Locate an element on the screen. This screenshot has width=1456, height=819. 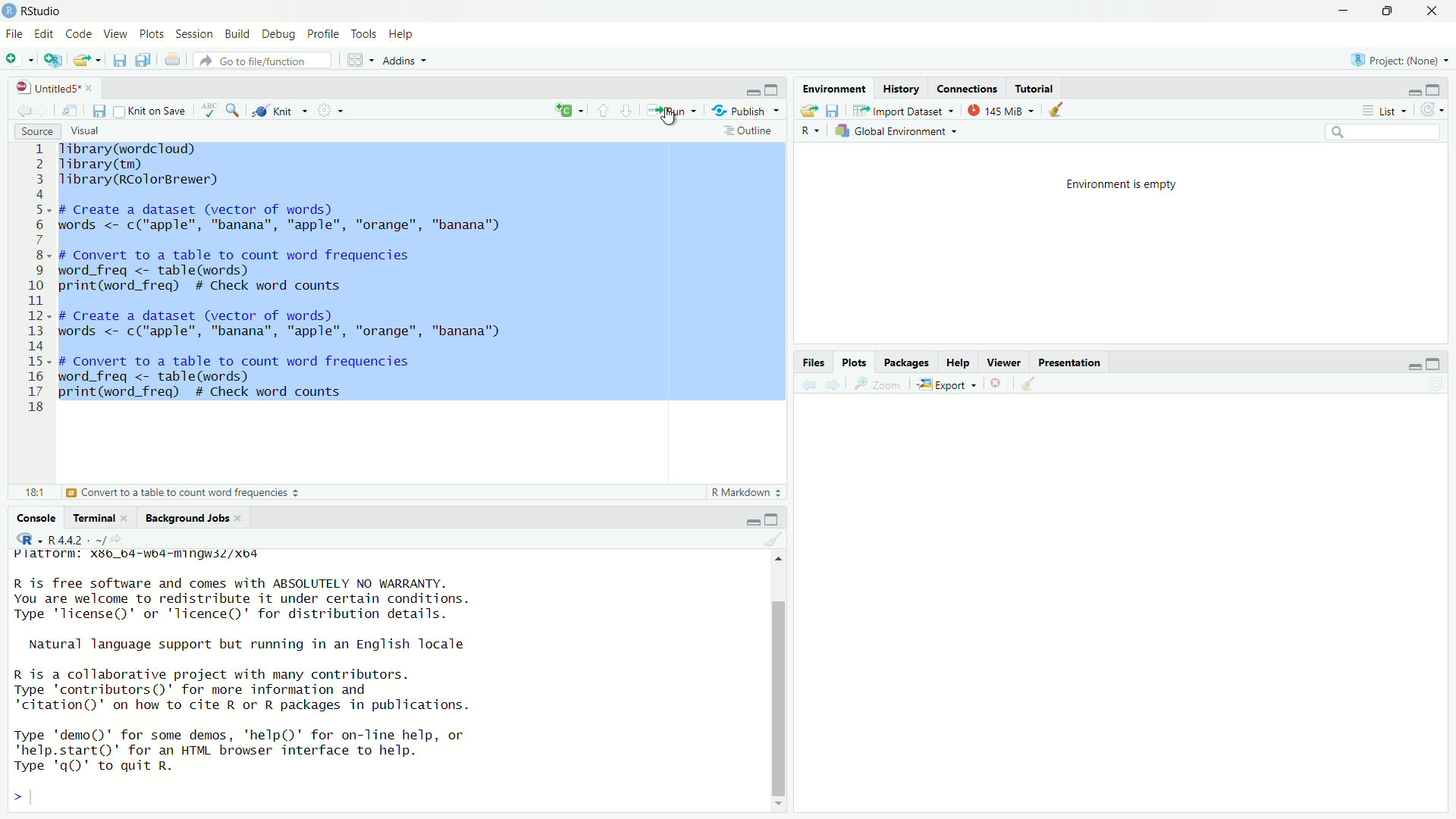
Scrollbar is located at coordinates (780, 682).